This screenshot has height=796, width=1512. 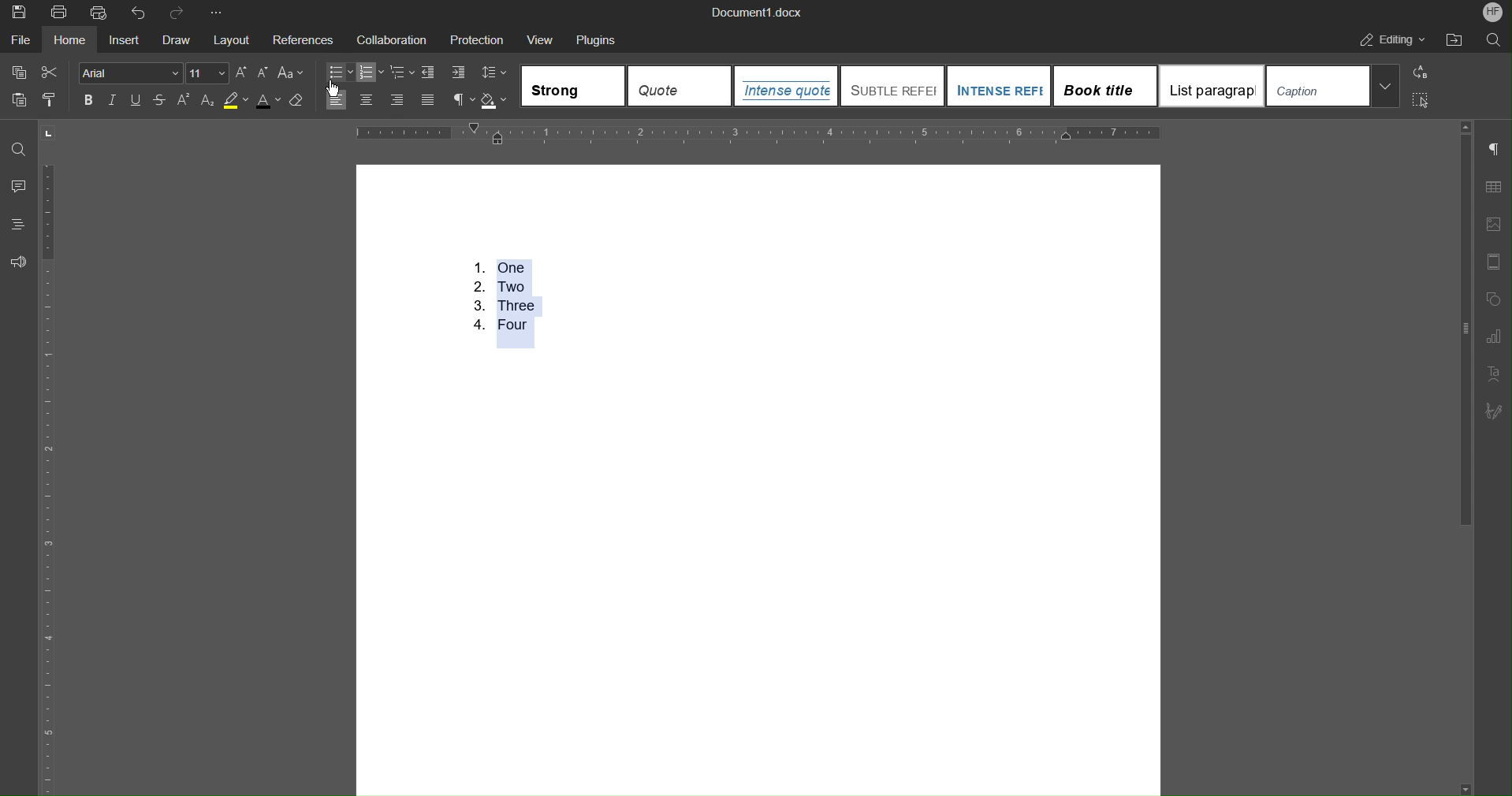 I want to click on Select All, so click(x=1420, y=102).